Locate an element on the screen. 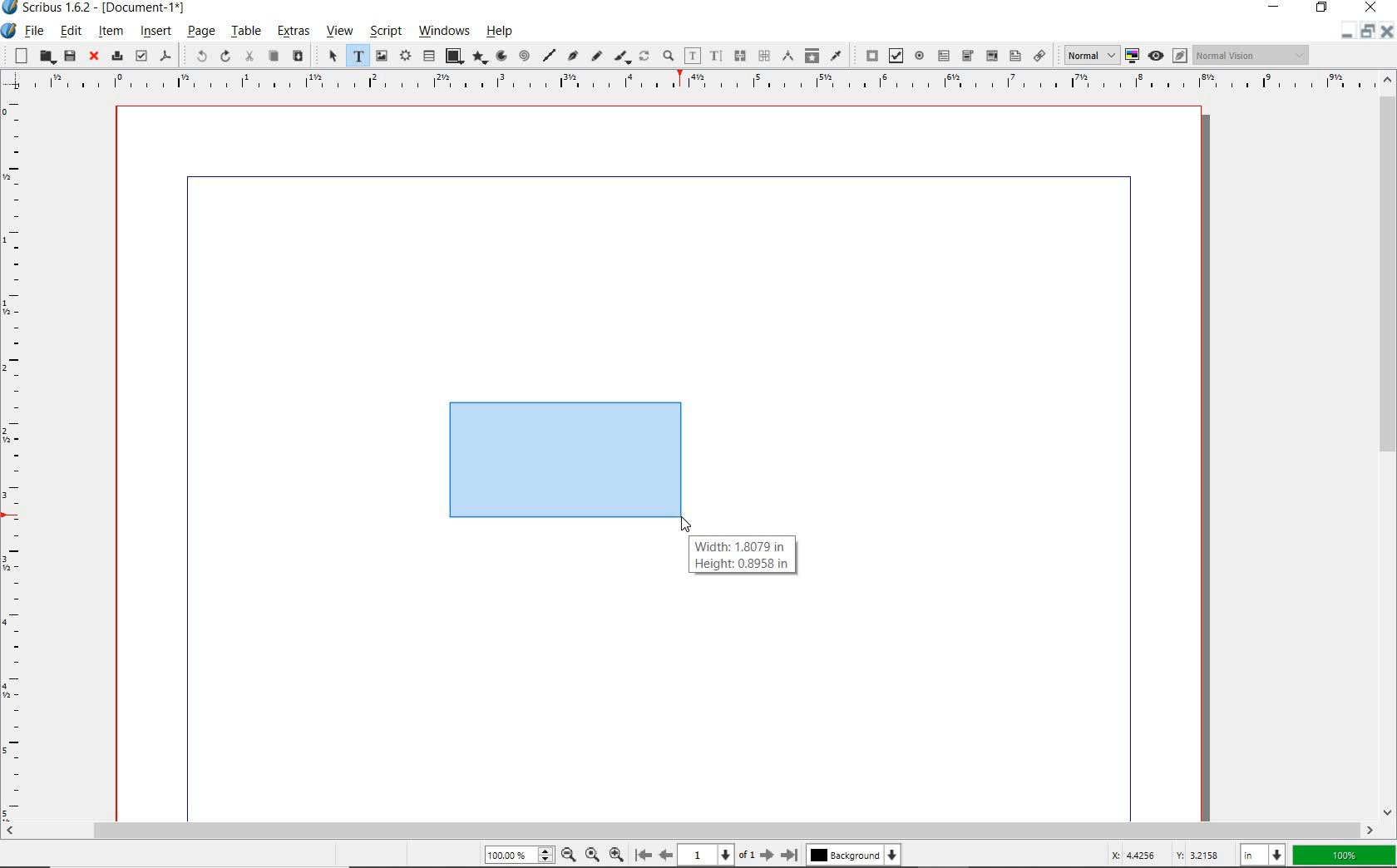 The width and height of the screenshot is (1397, 868). text frame is located at coordinates (355, 56).